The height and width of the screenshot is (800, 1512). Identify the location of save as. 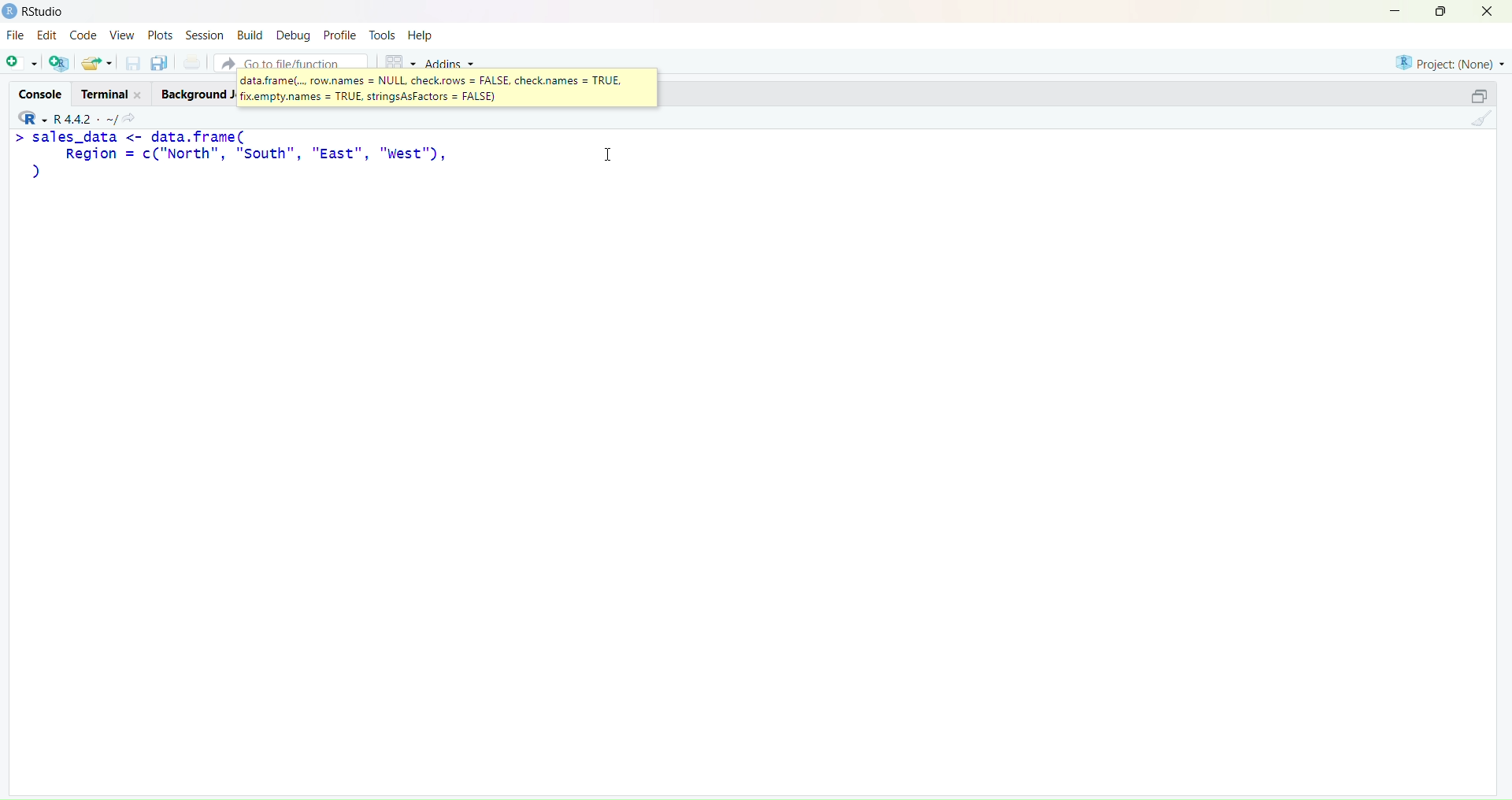
(159, 64).